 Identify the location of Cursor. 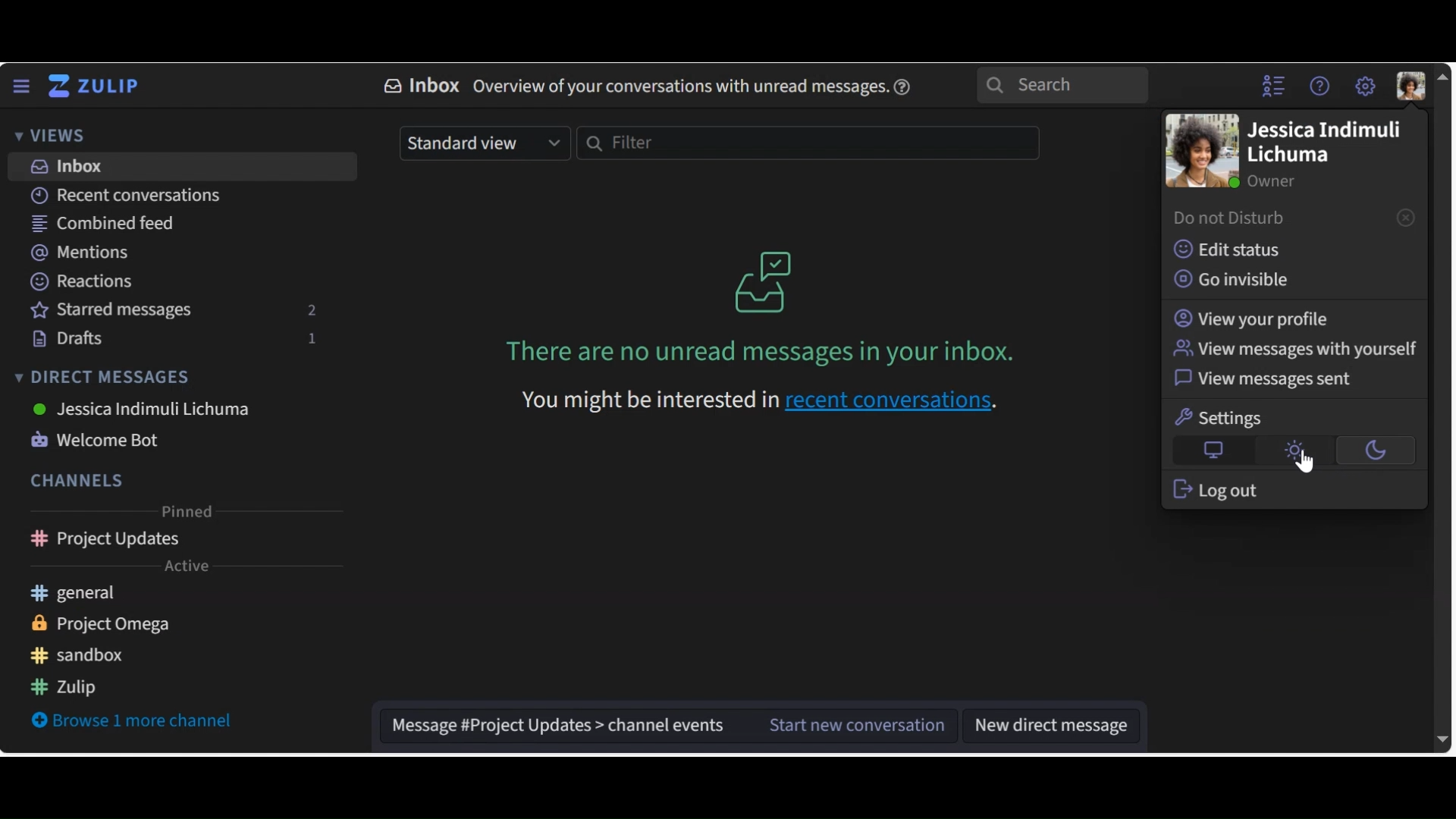
(1305, 463).